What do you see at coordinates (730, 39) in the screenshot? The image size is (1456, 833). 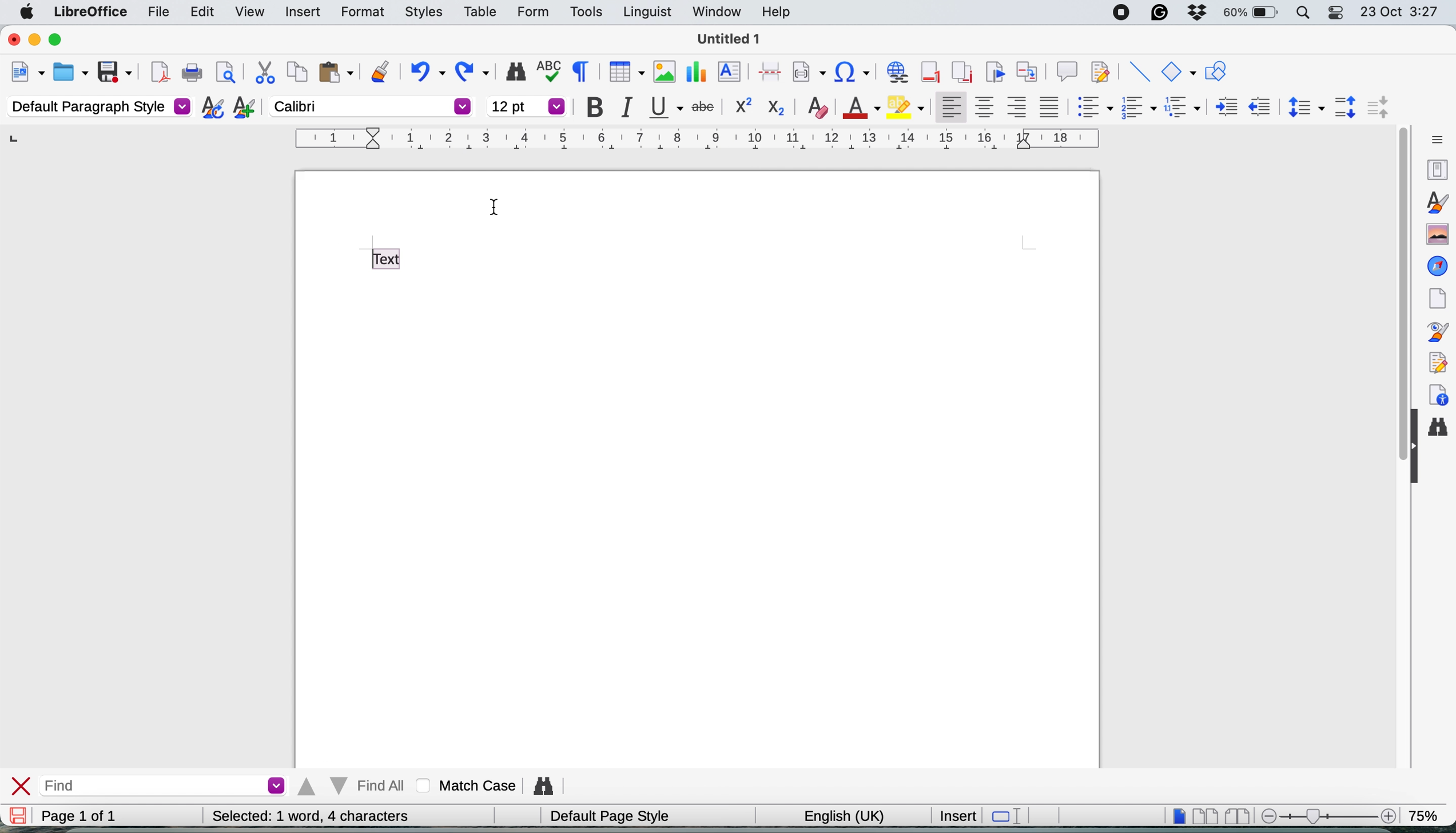 I see `file name` at bounding box center [730, 39].